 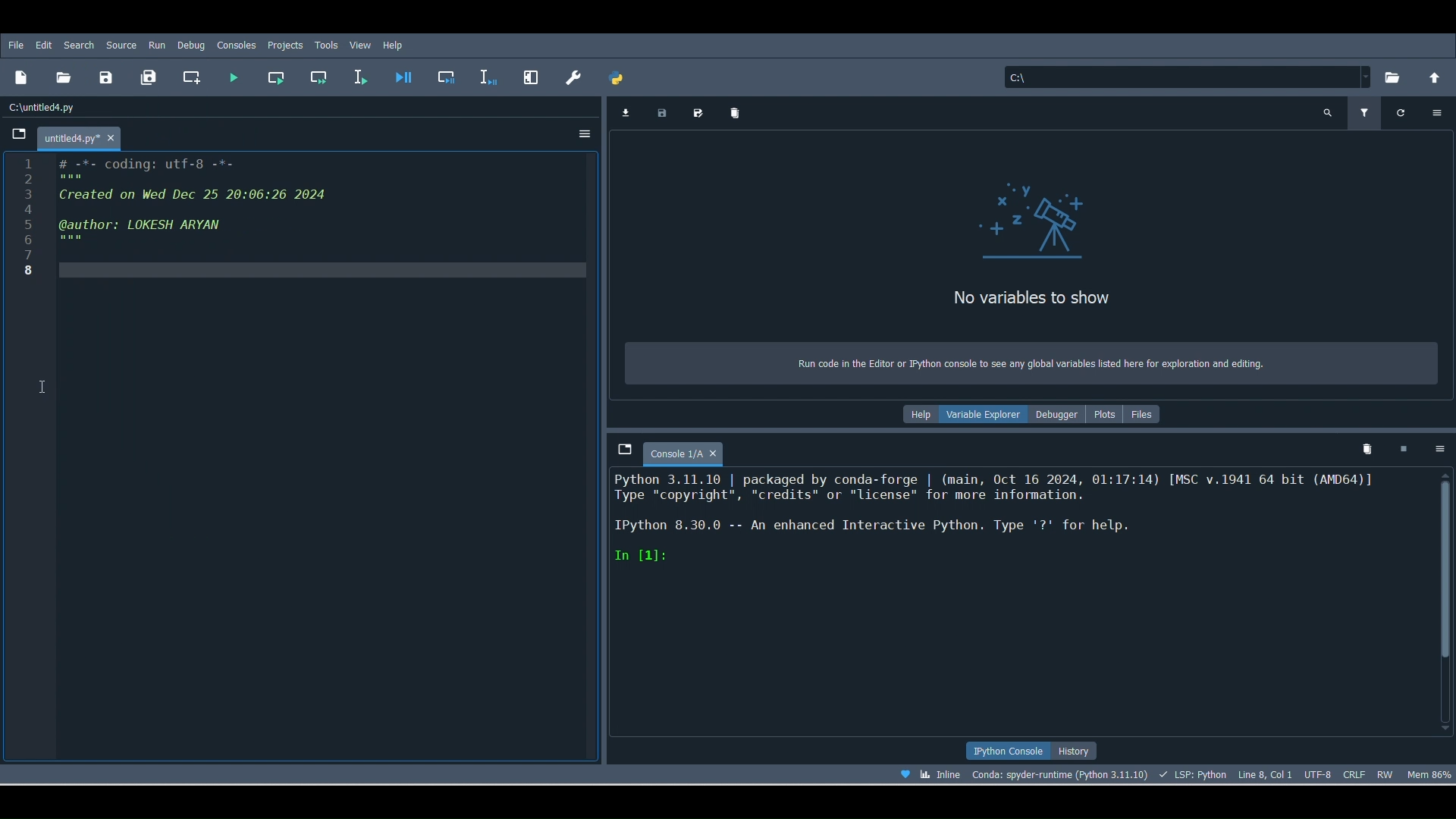 What do you see at coordinates (21, 81) in the screenshot?
I see `New file (Ctrl + N)` at bounding box center [21, 81].